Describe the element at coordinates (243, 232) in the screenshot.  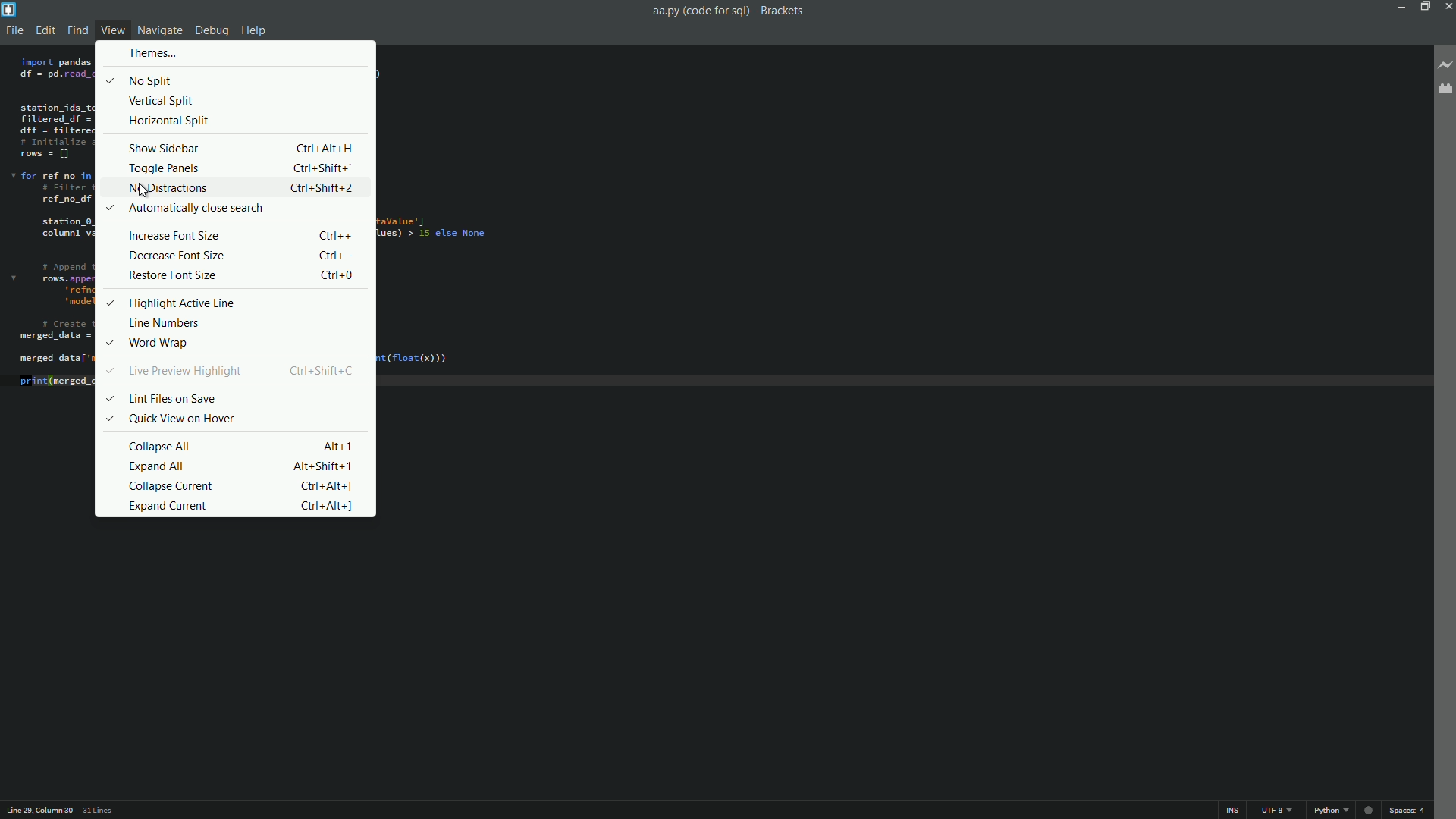
I see `increase font size ctrl++` at that location.